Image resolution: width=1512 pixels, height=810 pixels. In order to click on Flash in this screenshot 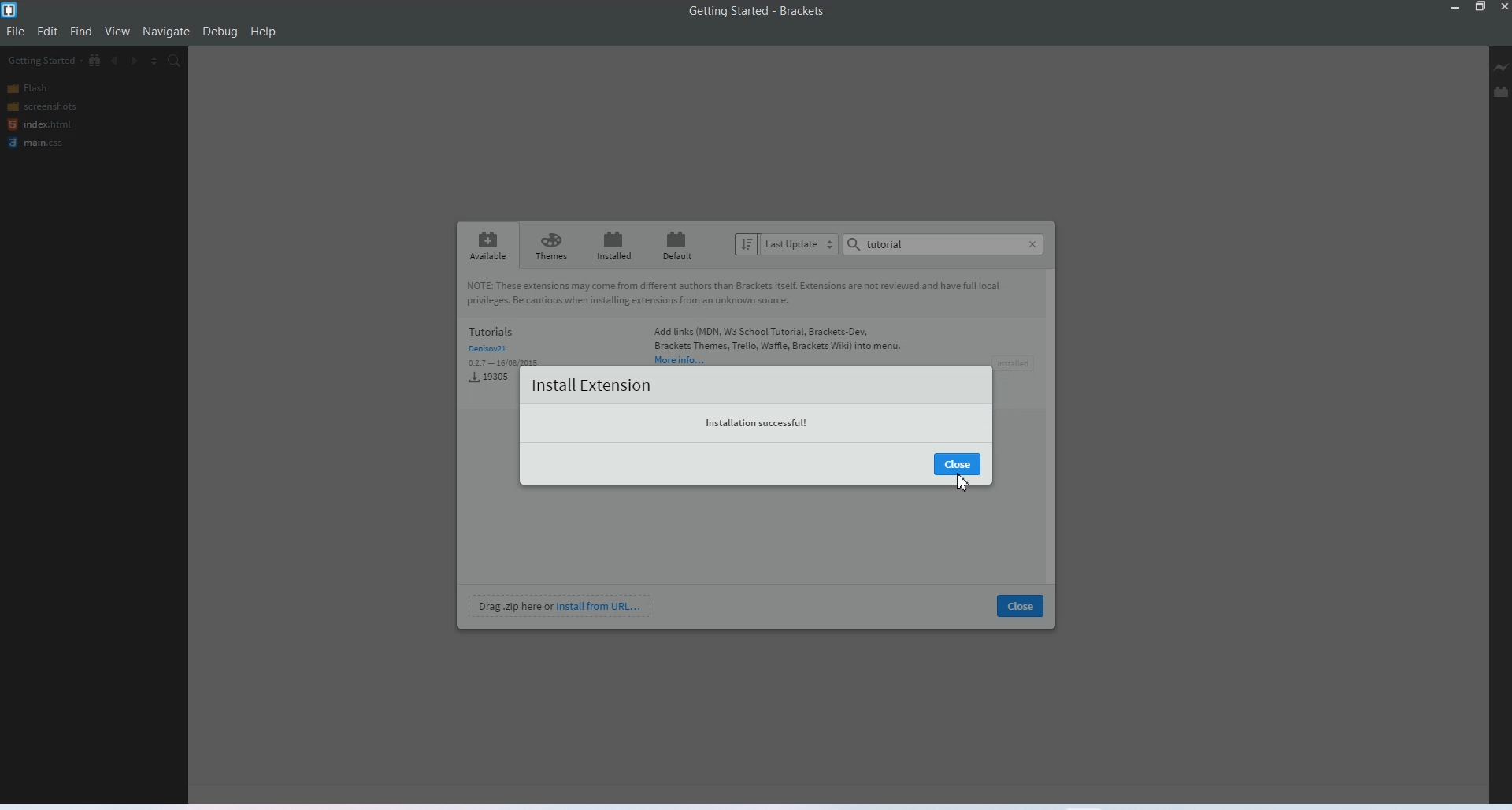, I will do `click(43, 88)`.